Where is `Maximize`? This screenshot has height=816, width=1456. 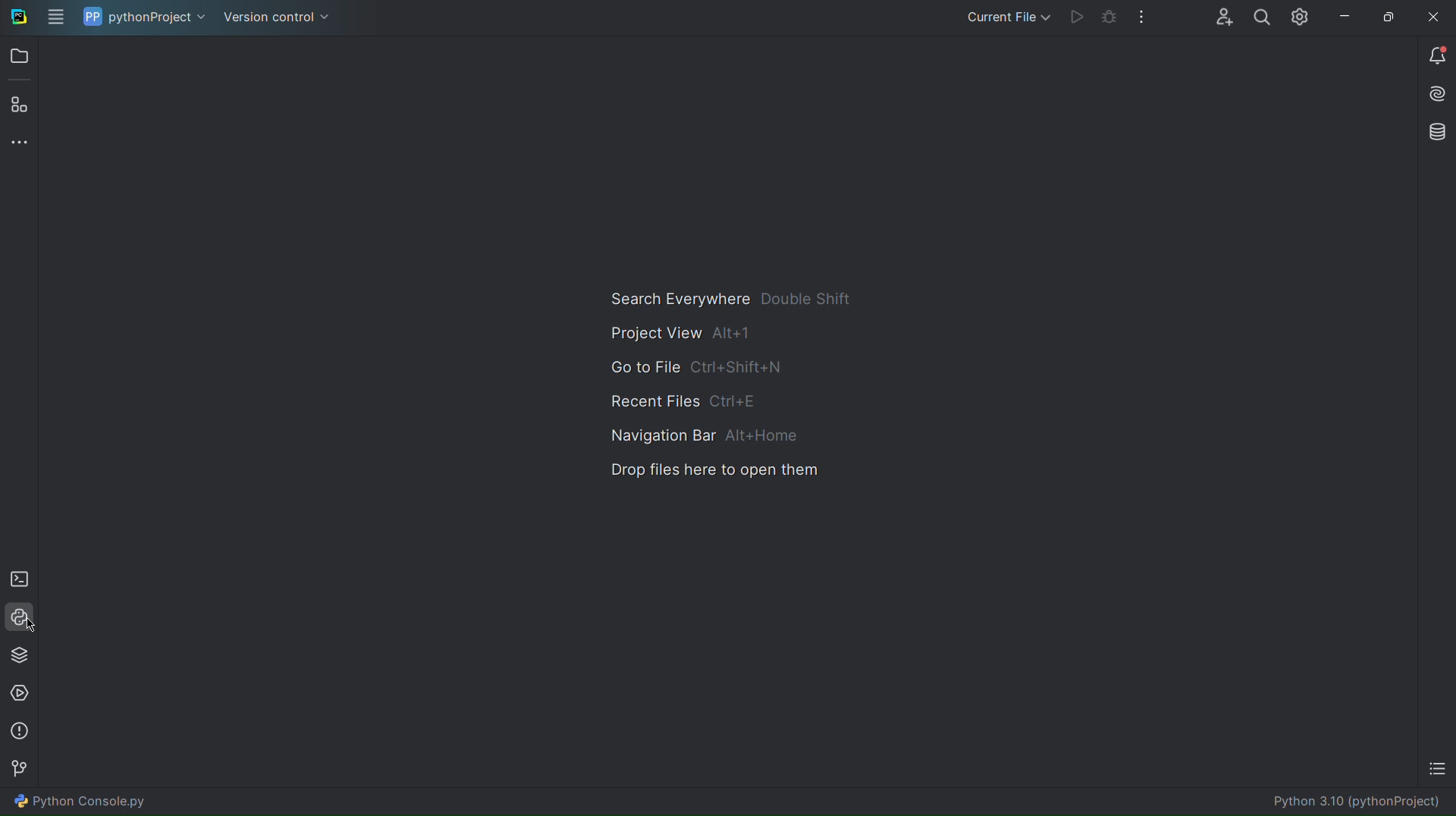
Maximize is located at coordinates (1388, 16).